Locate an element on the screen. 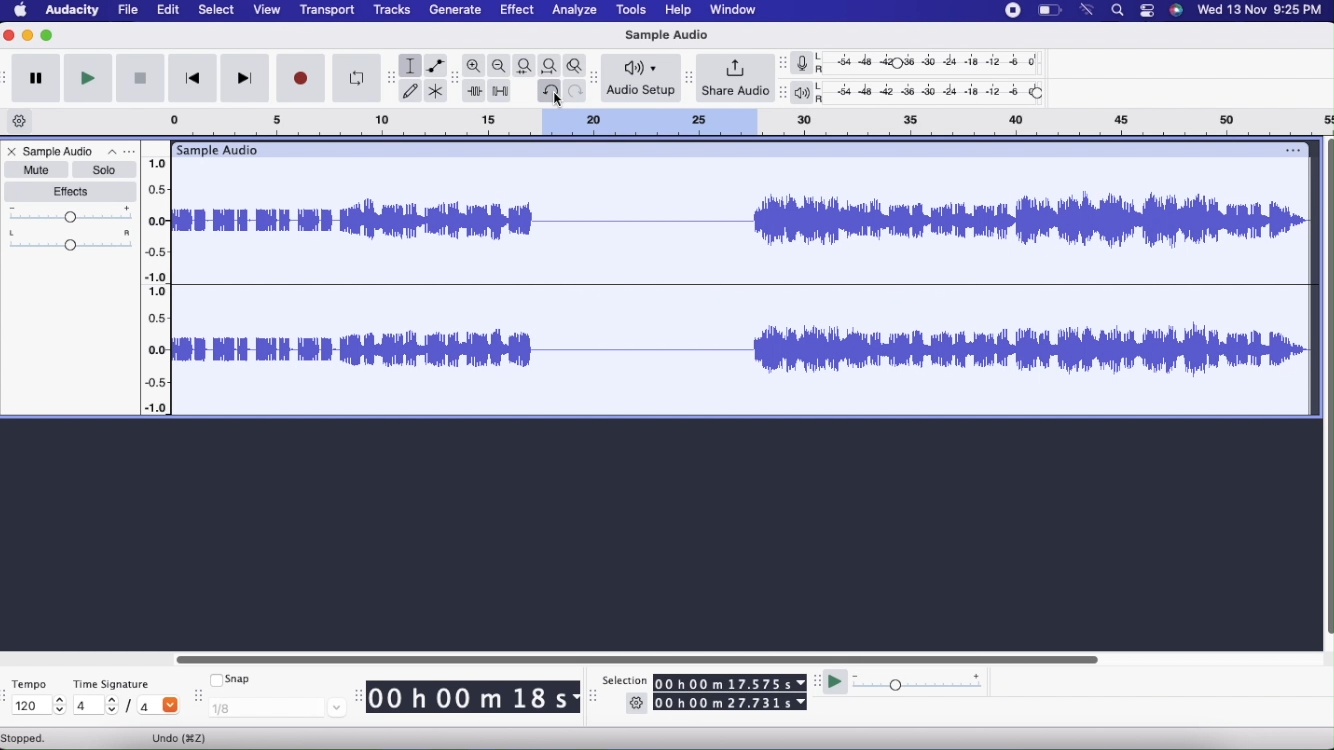 The width and height of the screenshot is (1334, 750). Play-at-speed is located at coordinates (837, 683).